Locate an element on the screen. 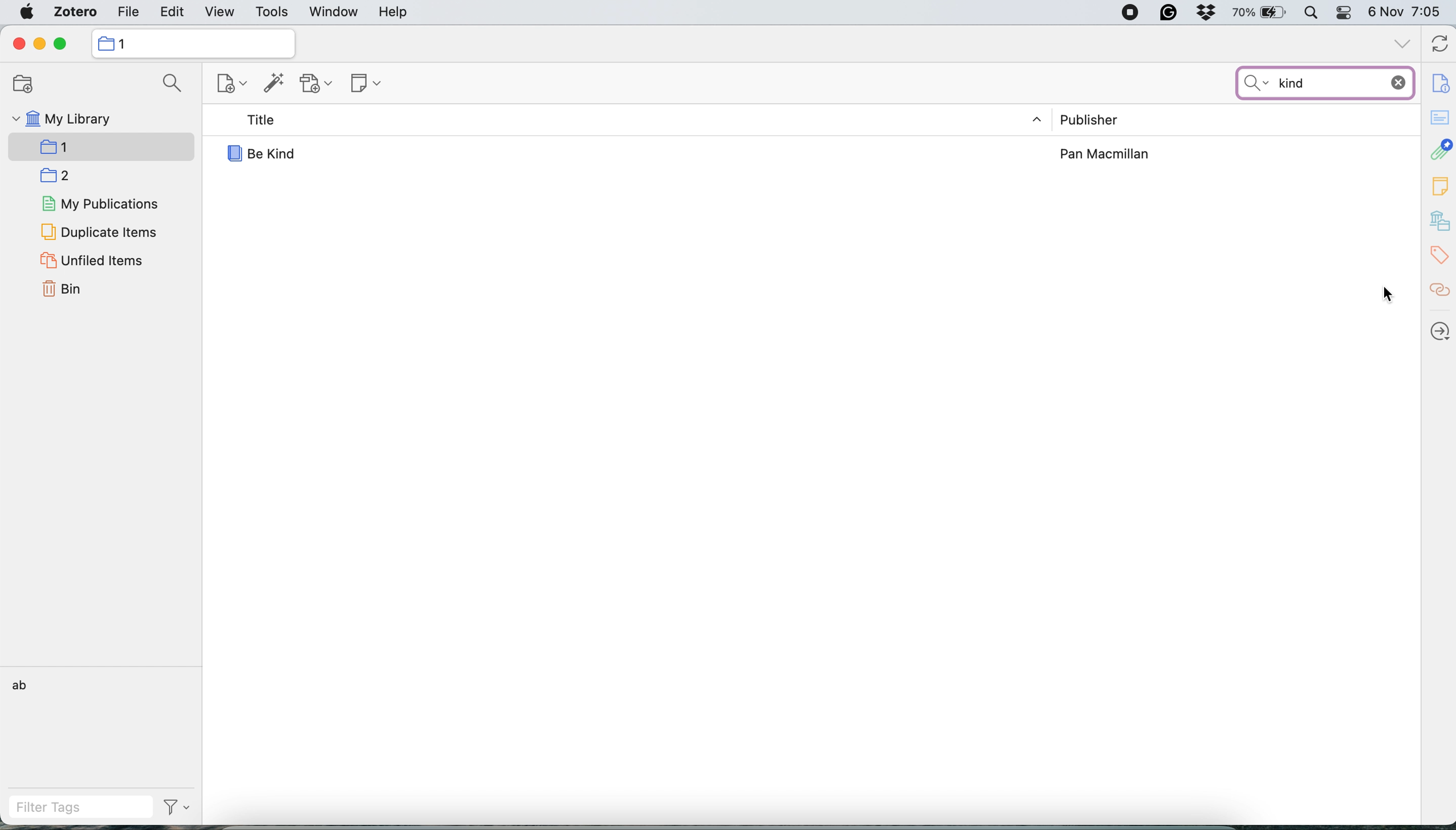 Image resolution: width=1456 pixels, height=830 pixels. library and collections is located at coordinates (1439, 221).